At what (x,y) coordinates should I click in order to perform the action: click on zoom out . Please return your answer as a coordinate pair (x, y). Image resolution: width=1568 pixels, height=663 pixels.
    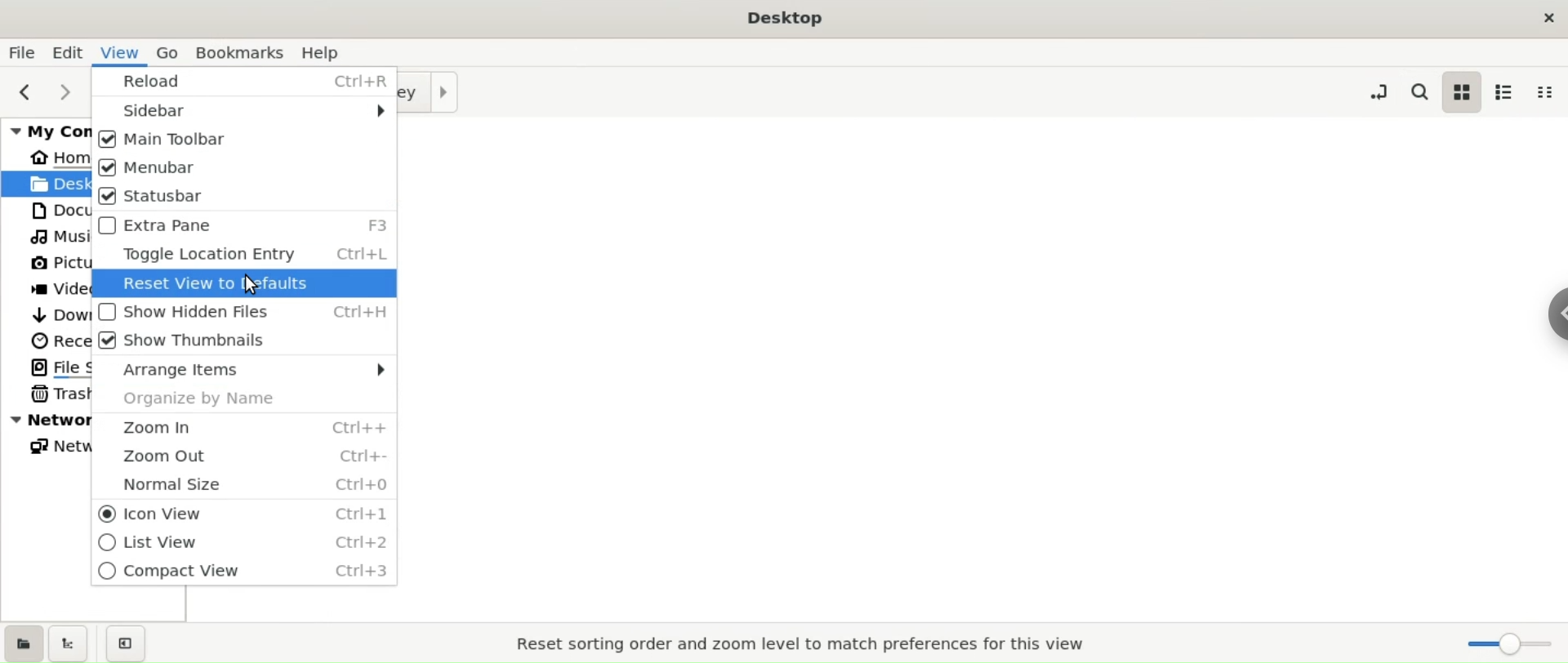
    Looking at the image, I should click on (245, 458).